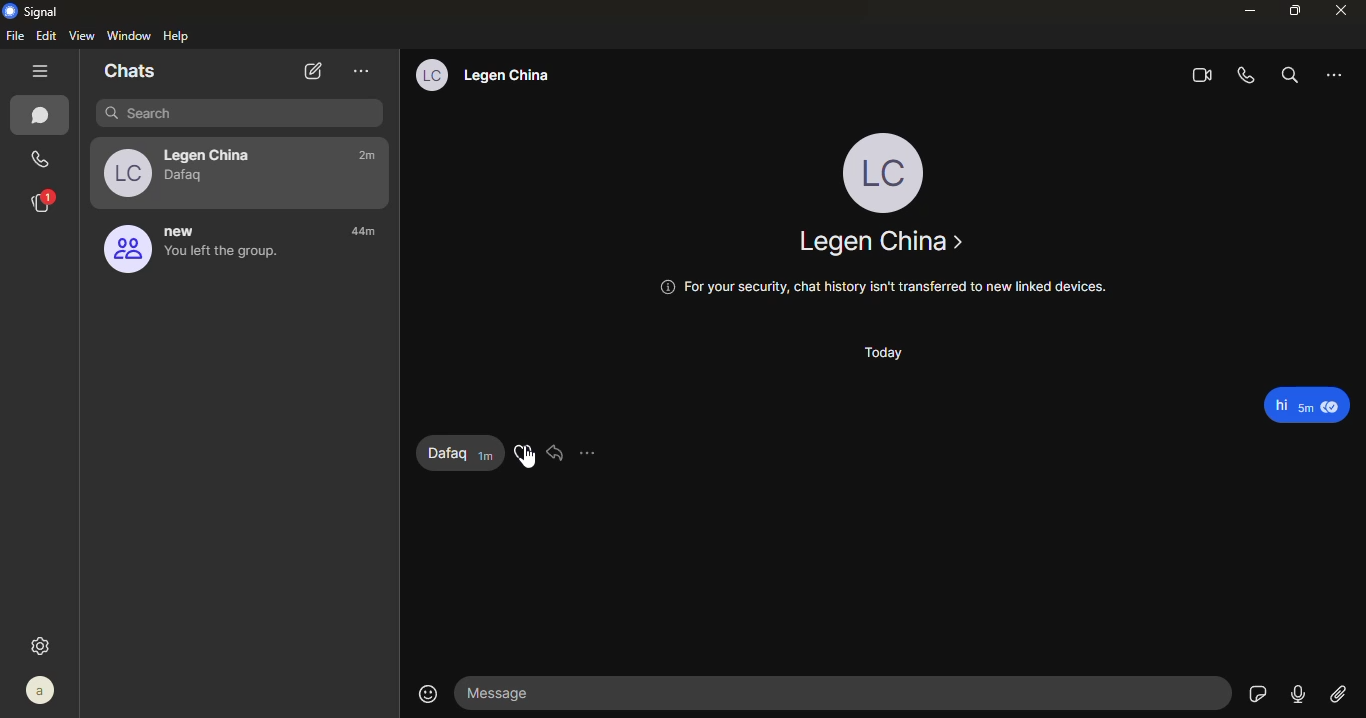 This screenshot has width=1366, height=718. Describe the element at coordinates (1337, 74) in the screenshot. I see `more option` at that location.